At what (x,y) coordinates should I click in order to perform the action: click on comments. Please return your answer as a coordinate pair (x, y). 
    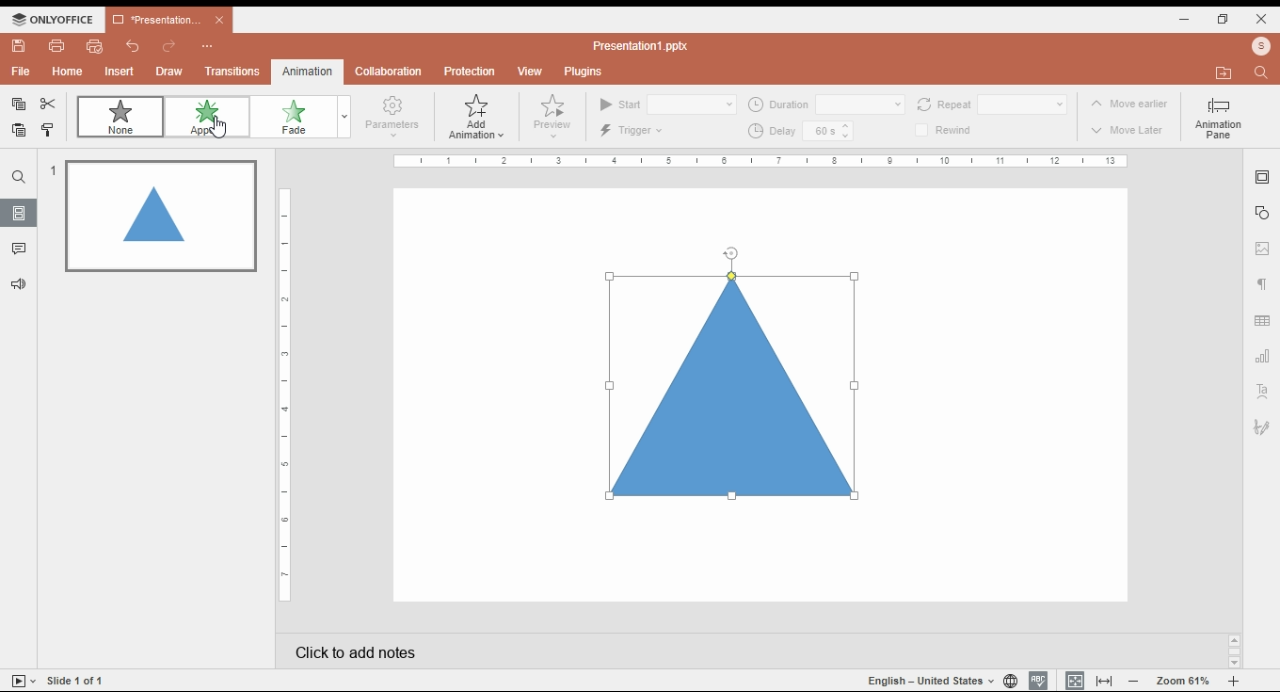
    Looking at the image, I should click on (20, 249).